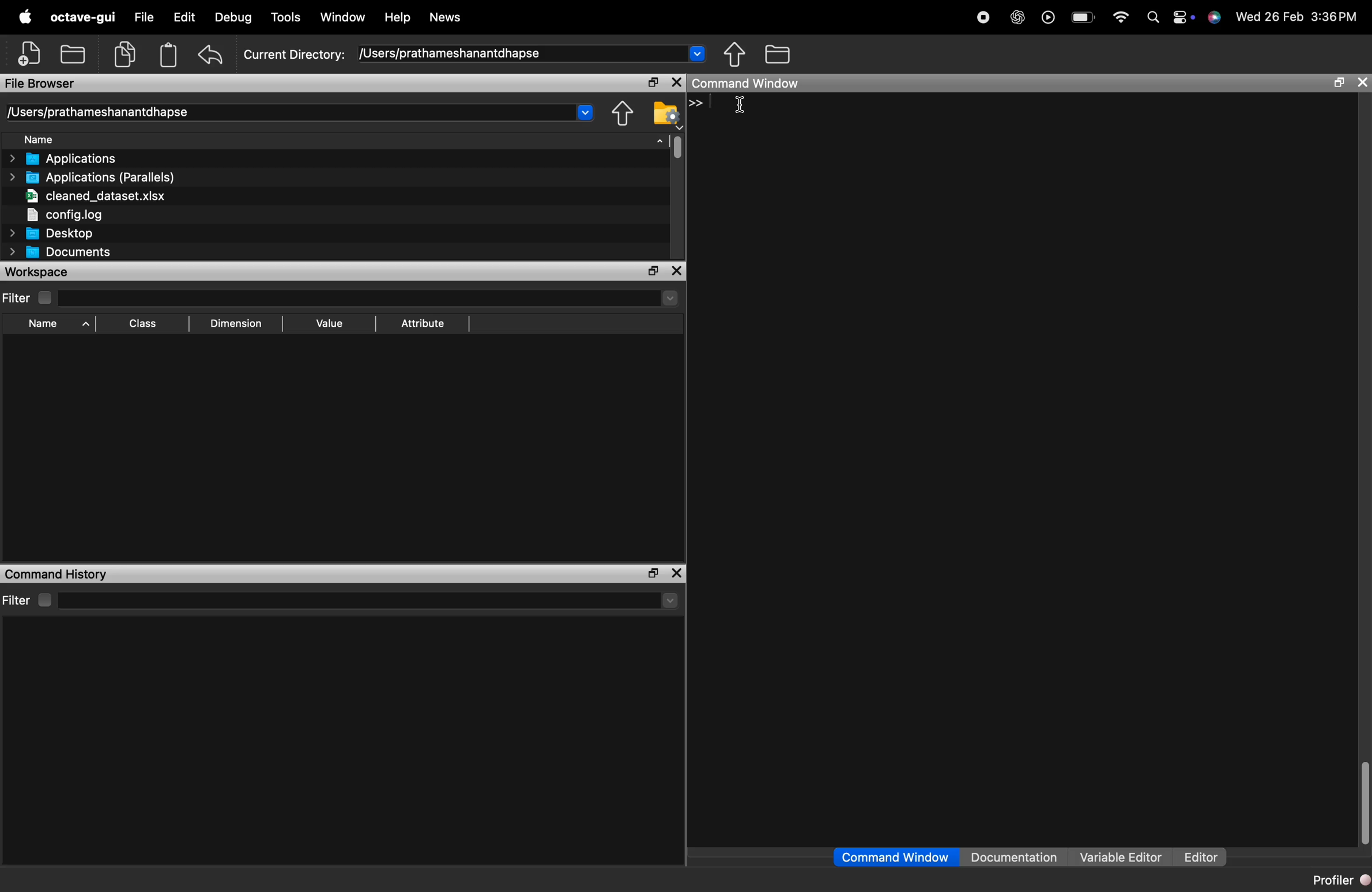 This screenshot has width=1372, height=892. What do you see at coordinates (1018, 17) in the screenshot?
I see `chat gpt` at bounding box center [1018, 17].